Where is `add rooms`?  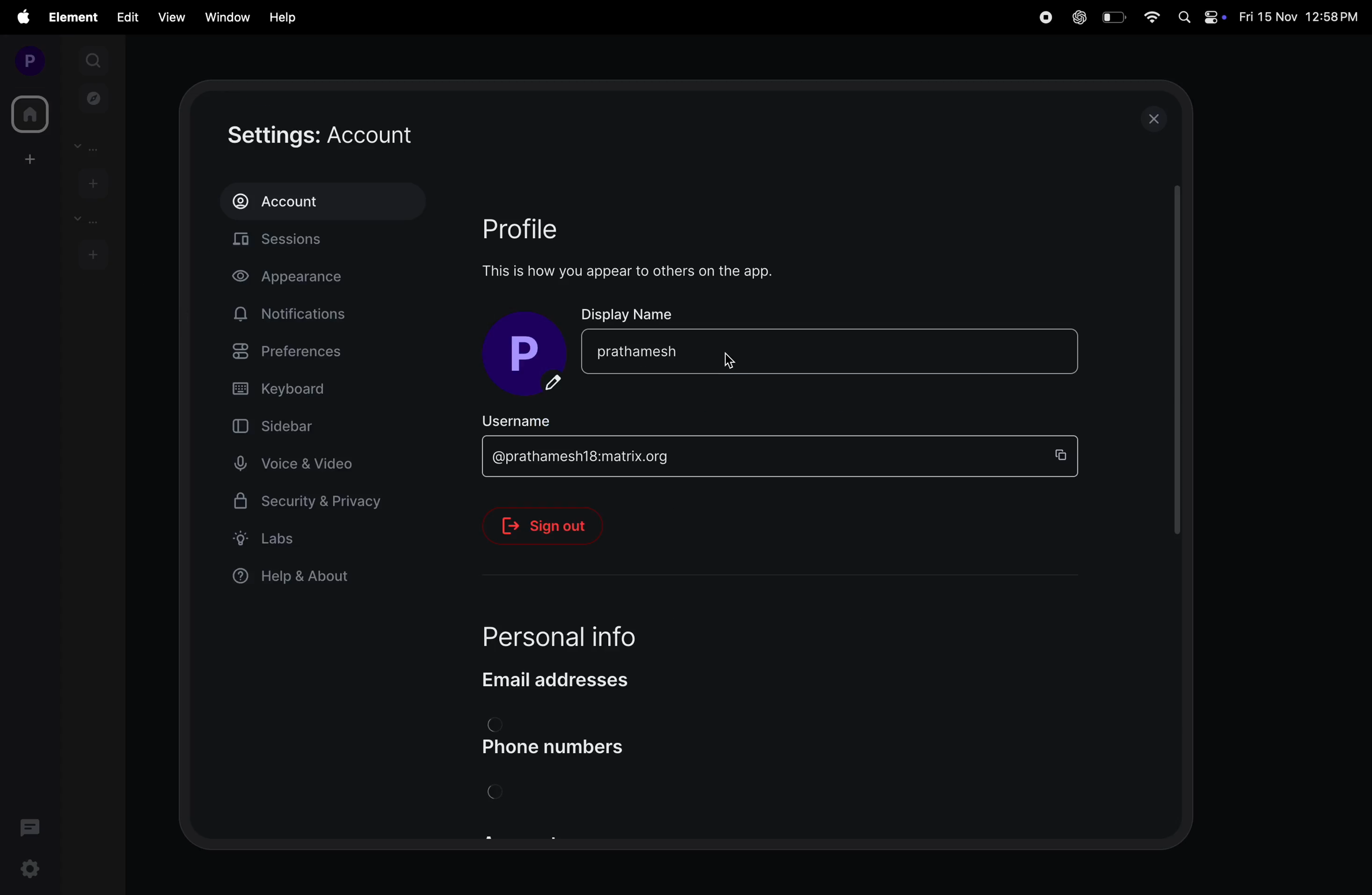 add rooms is located at coordinates (93, 253).